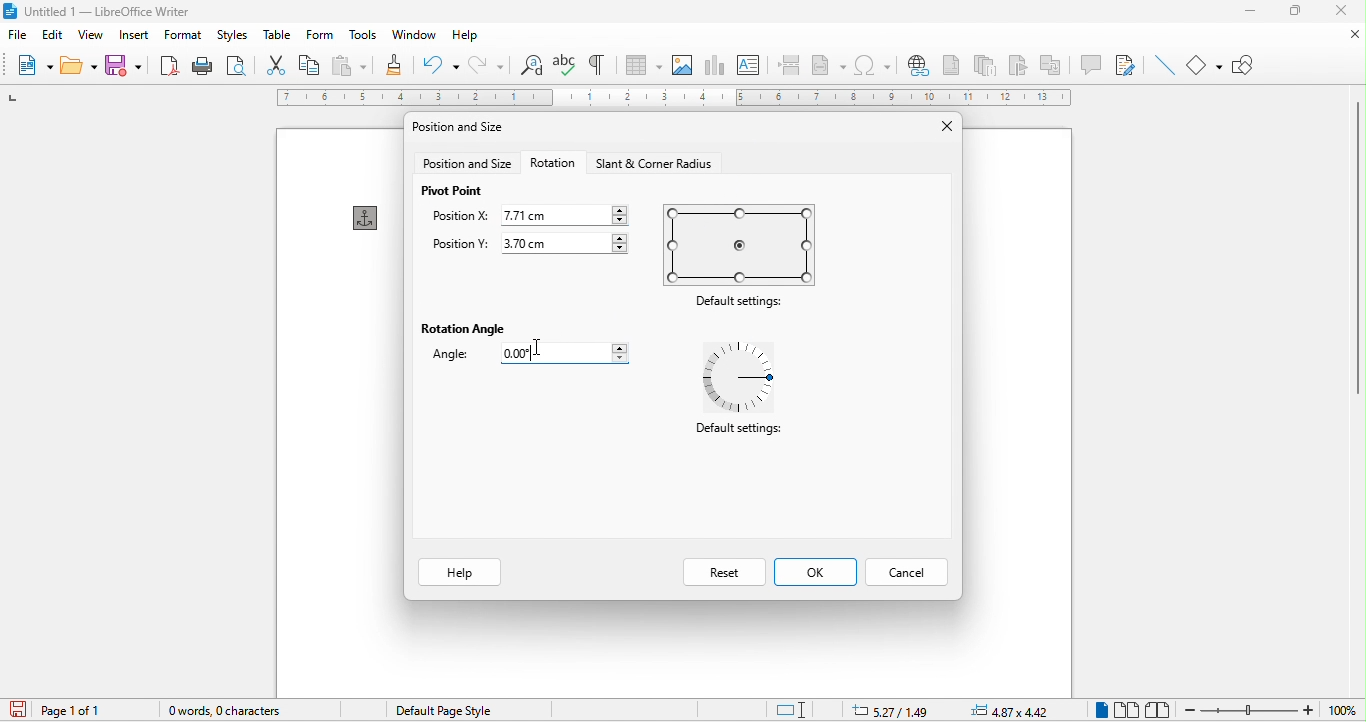  I want to click on rotation angle, so click(462, 326).